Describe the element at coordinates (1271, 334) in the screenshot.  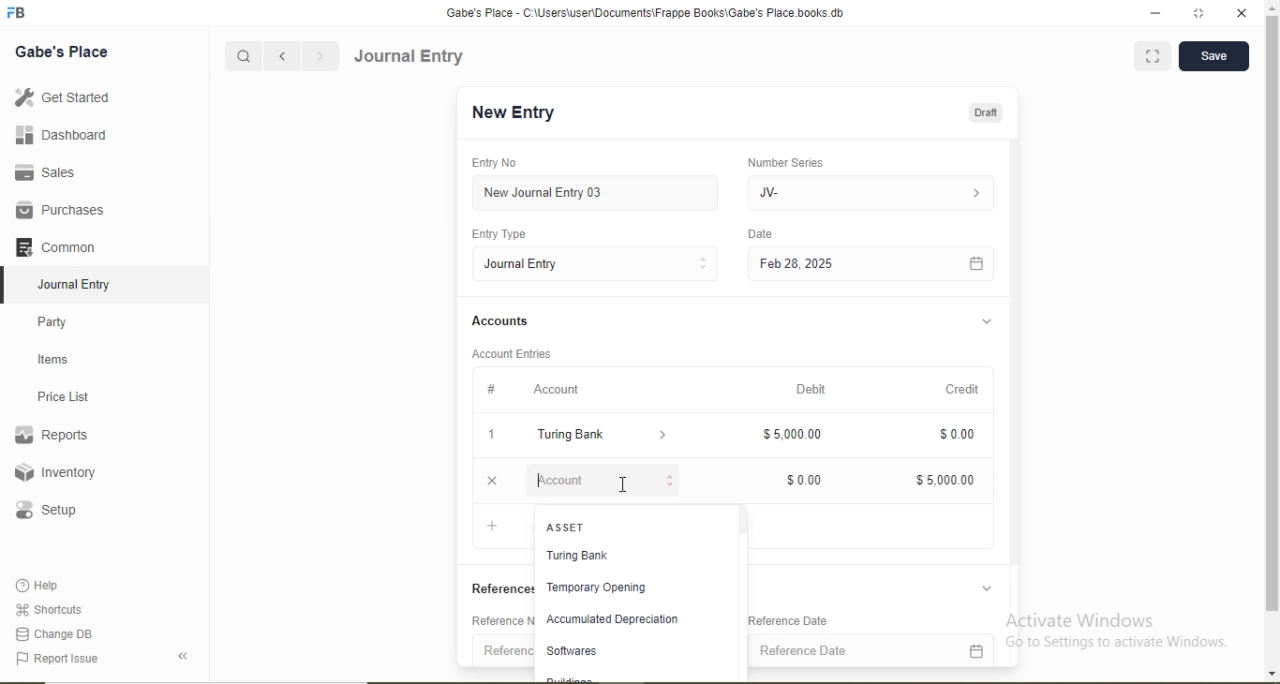
I see `scroll bar` at that location.